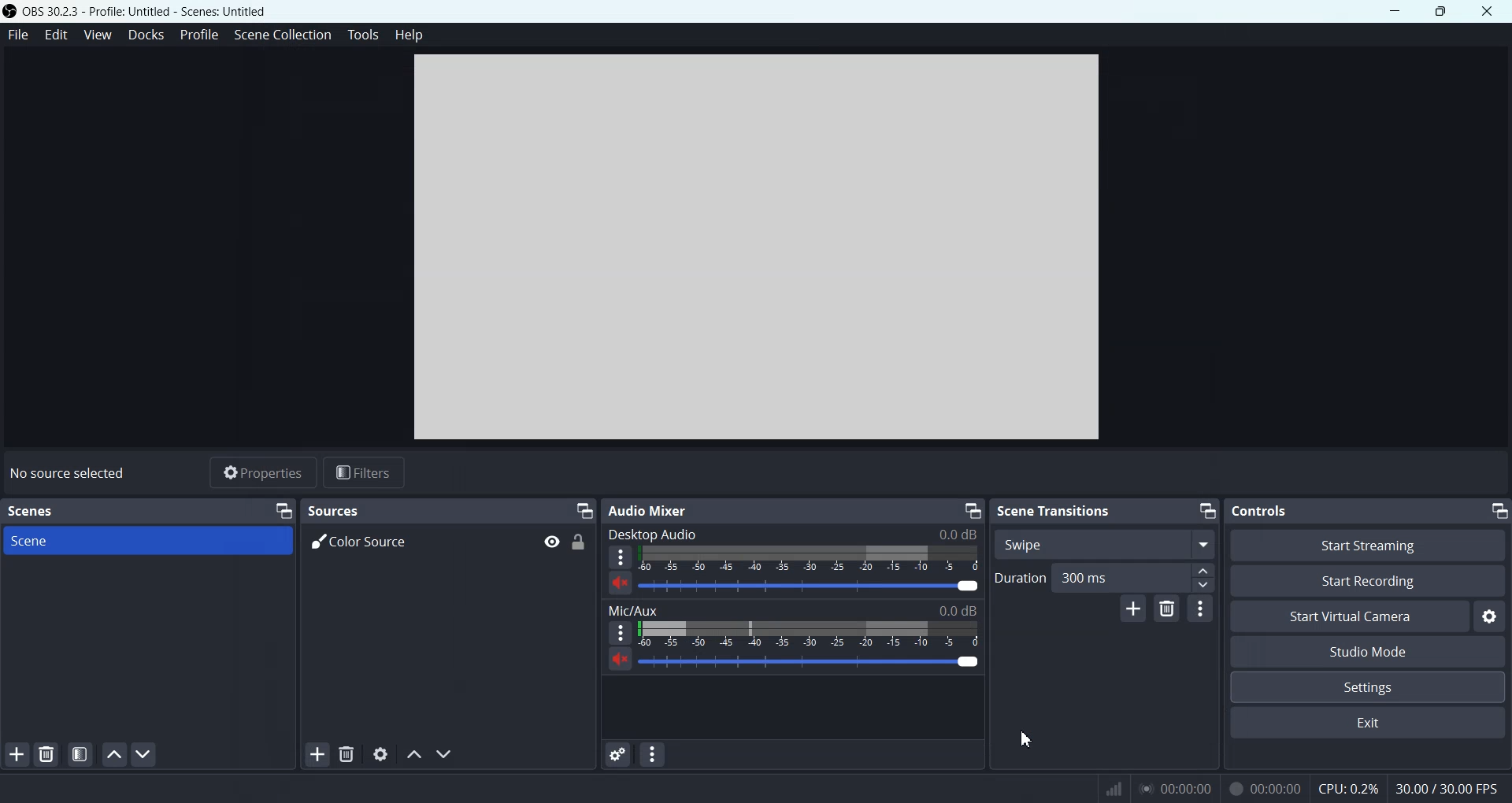 This screenshot has height=803, width=1512. I want to click on Text, so click(339, 511).